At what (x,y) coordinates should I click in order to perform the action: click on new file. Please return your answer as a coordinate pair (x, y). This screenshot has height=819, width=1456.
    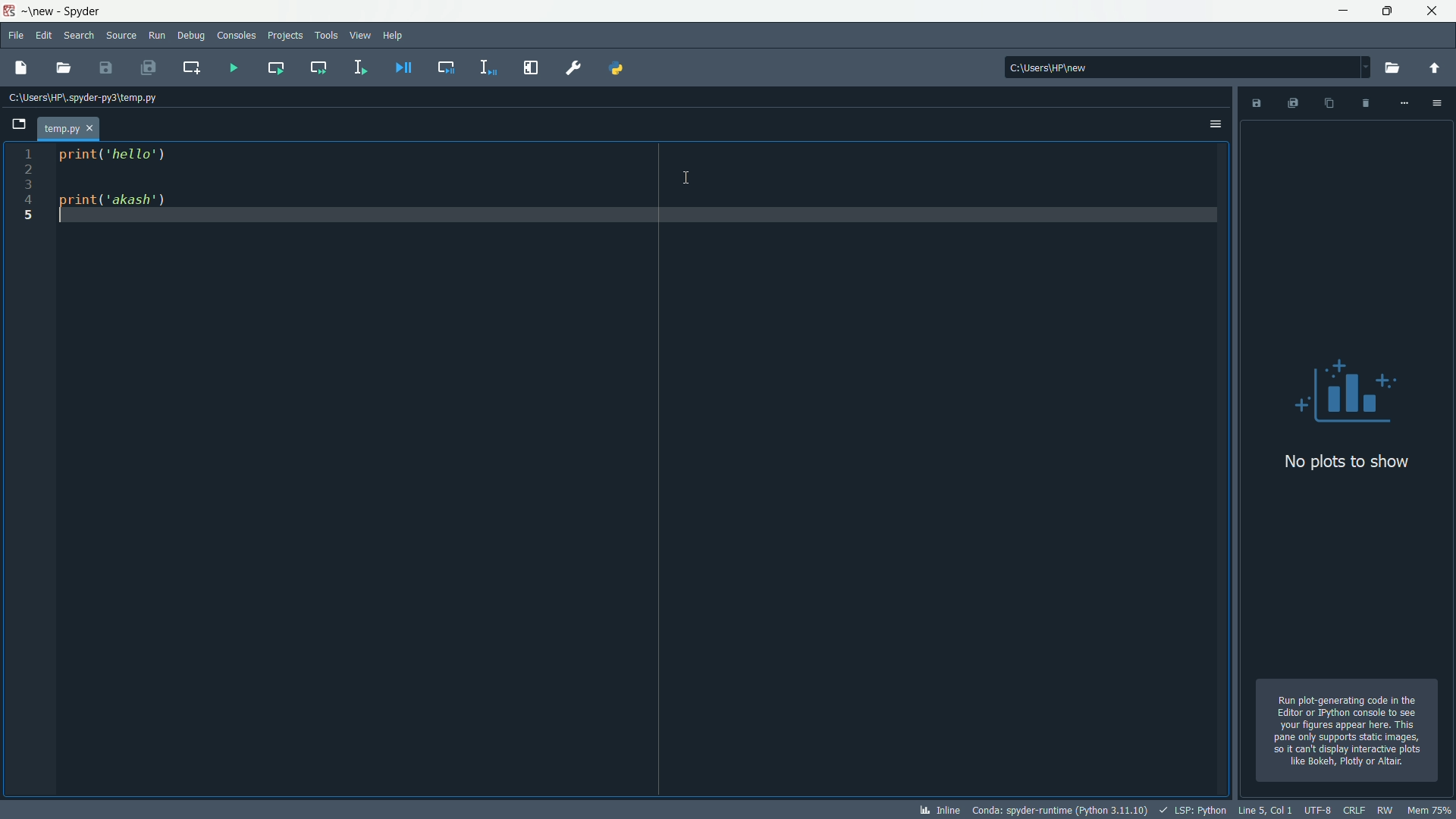
    Looking at the image, I should click on (21, 67).